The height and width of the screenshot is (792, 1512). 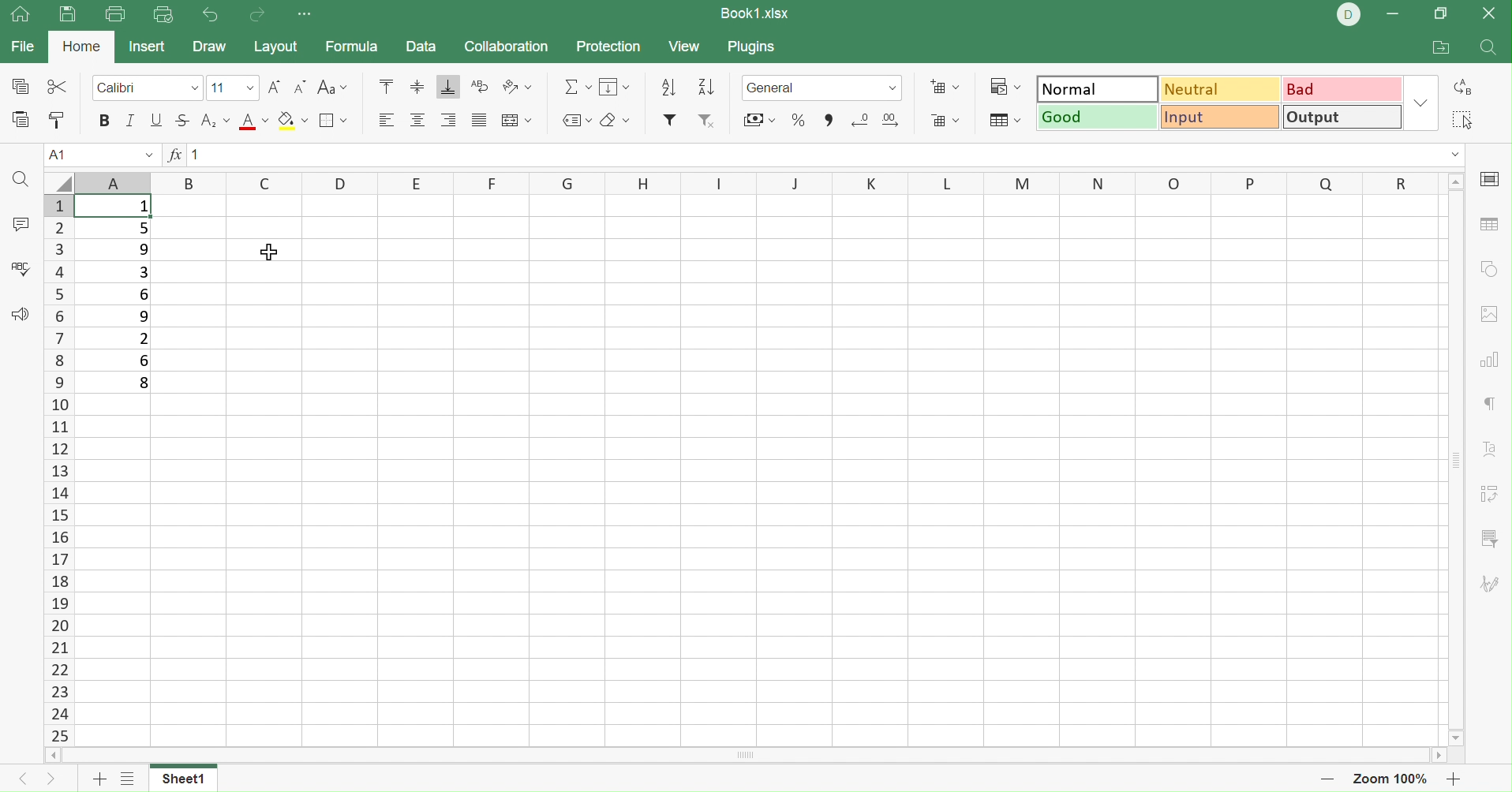 What do you see at coordinates (142, 249) in the screenshot?
I see `9` at bounding box center [142, 249].